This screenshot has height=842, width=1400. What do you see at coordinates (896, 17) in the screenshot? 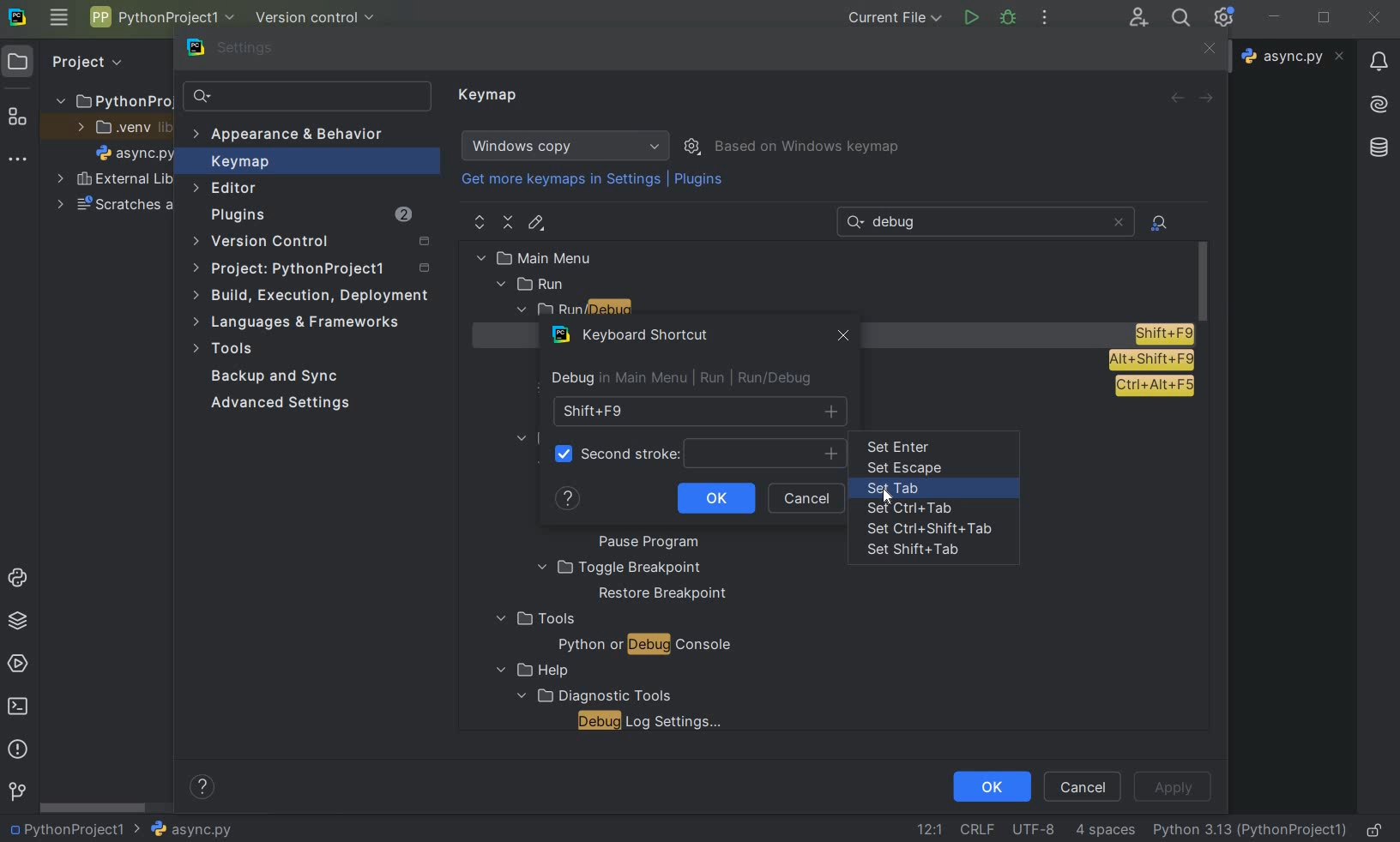
I see `current file` at bounding box center [896, 17].